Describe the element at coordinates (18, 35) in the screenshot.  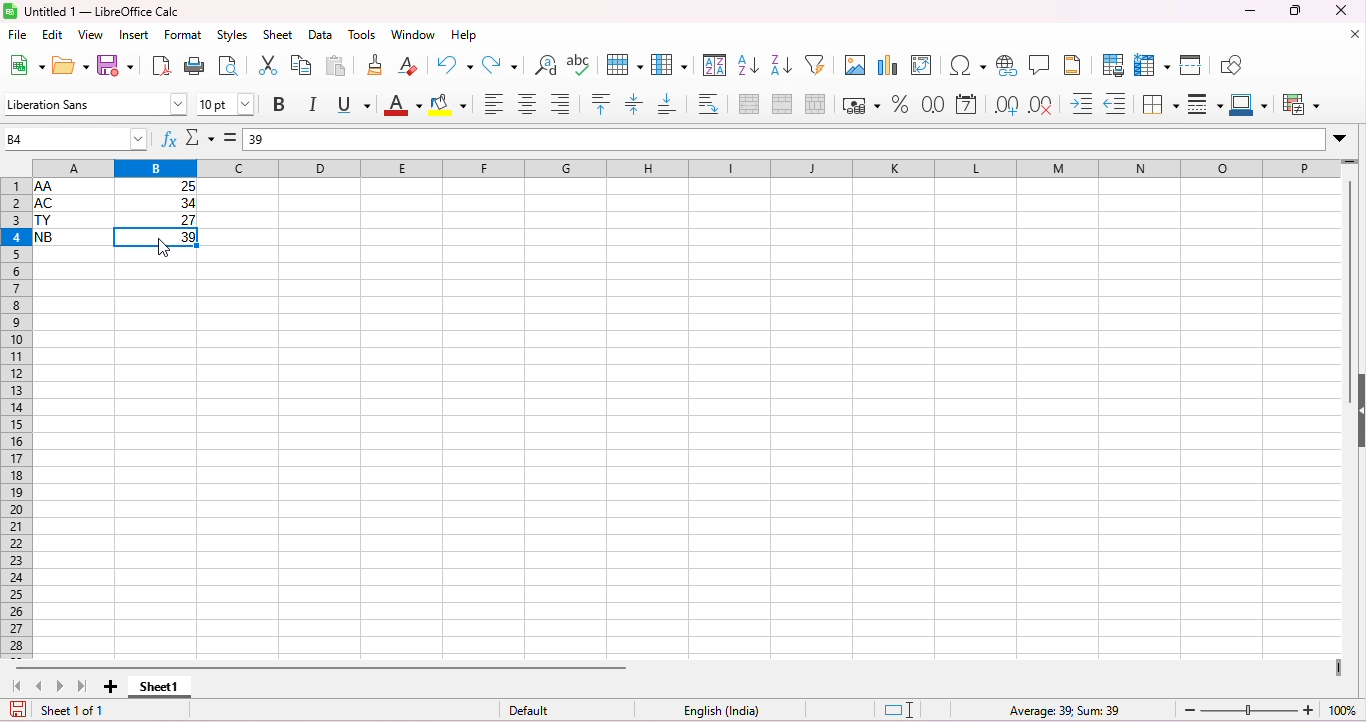
I see `file` at that location.